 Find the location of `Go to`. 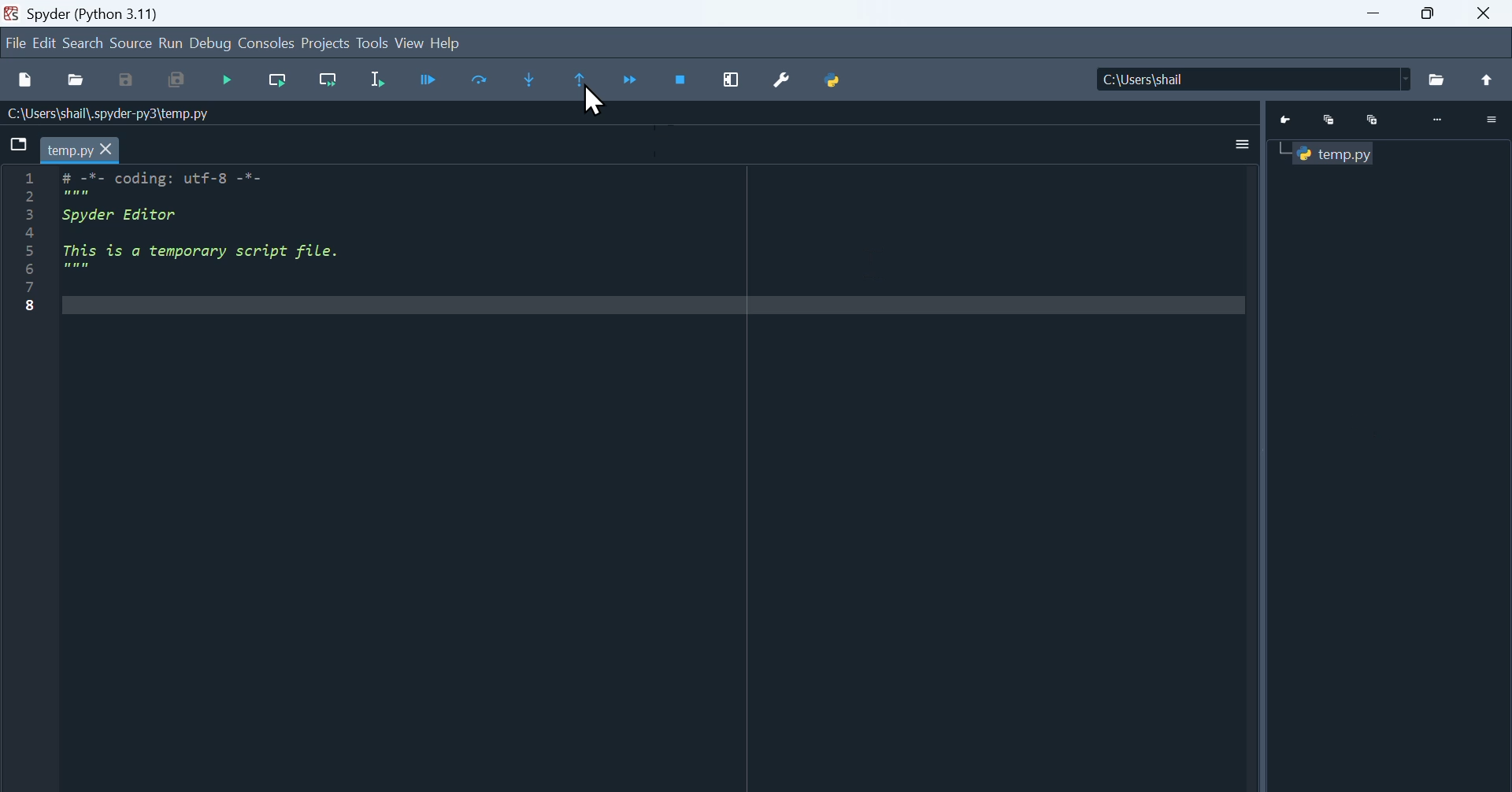

Go to is located at coordinates (1288, 121).